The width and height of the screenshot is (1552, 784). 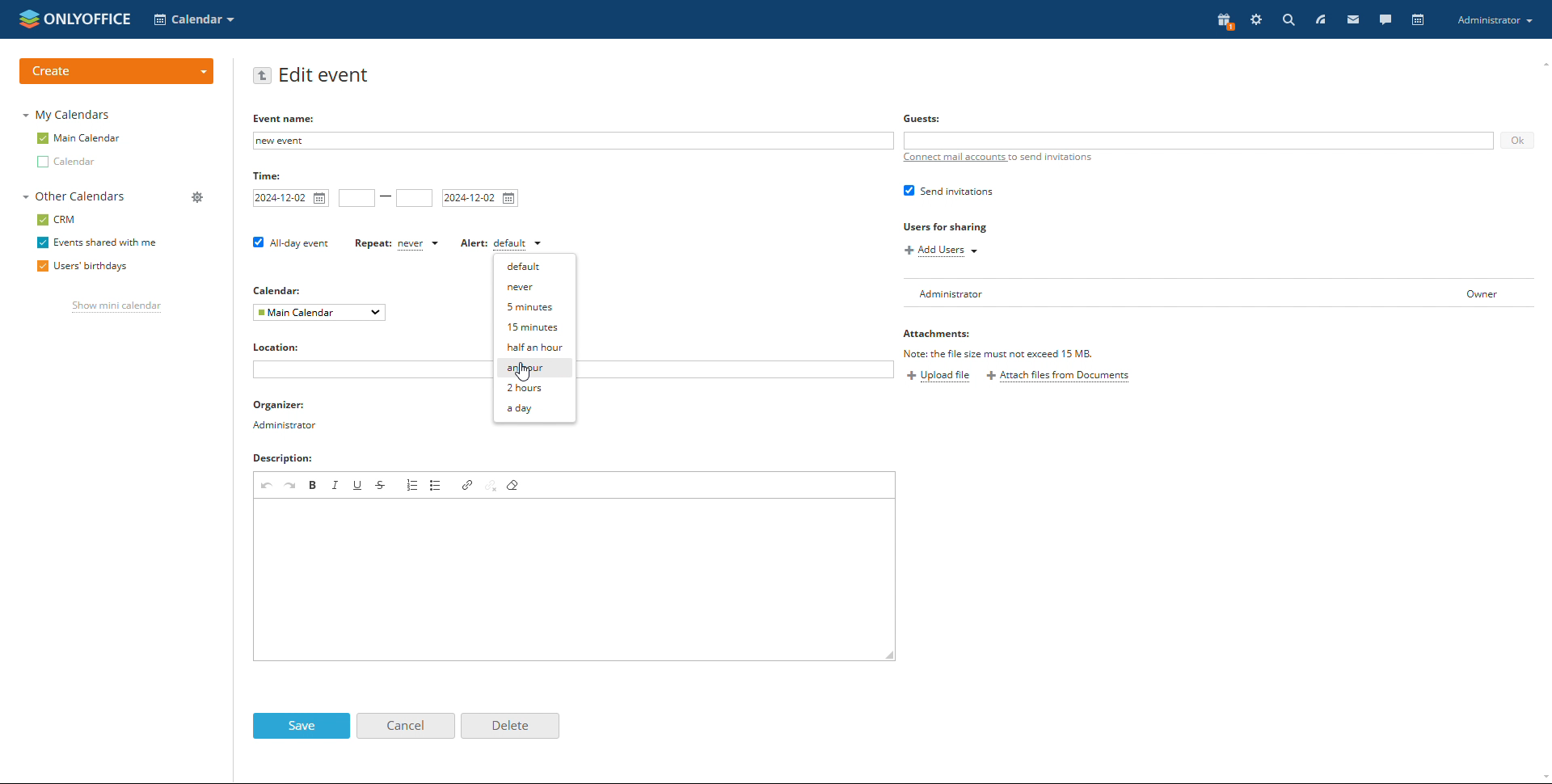 What do you see at coordinates (407, 726) in the screenshot?
I see `cancel` at bounding box center [407, 726].